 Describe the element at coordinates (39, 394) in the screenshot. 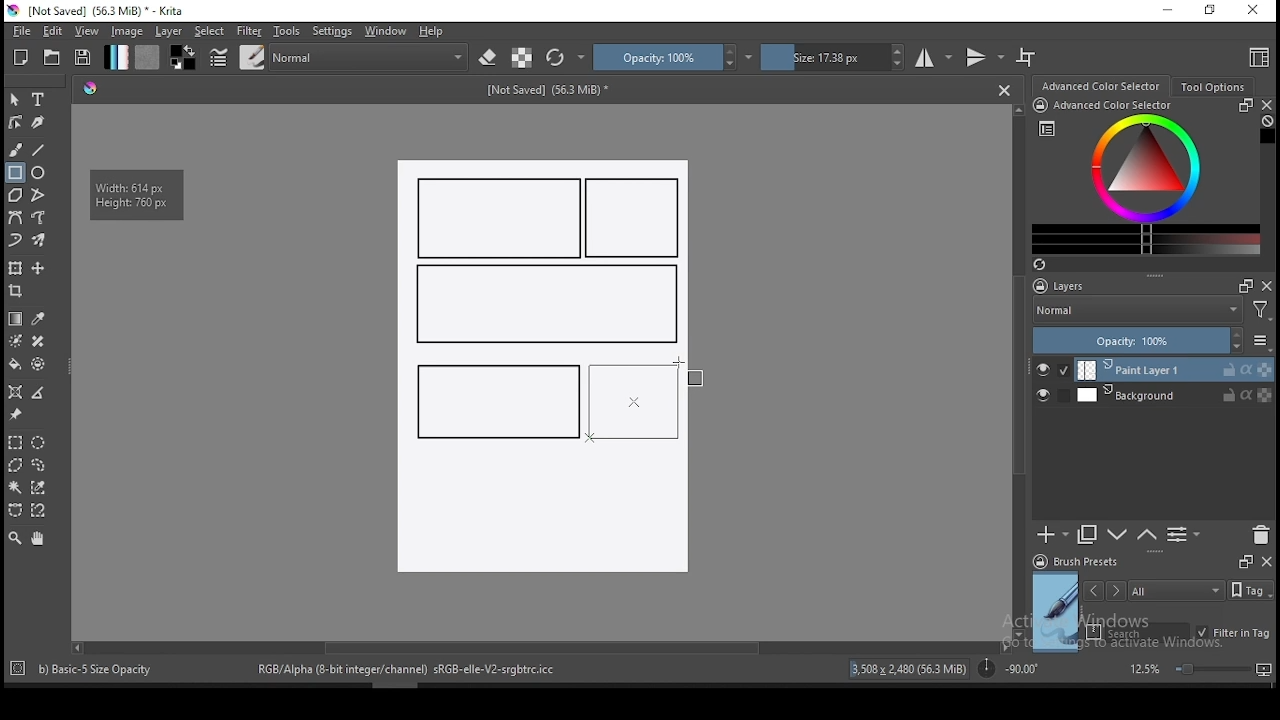

I see `measure distance between two points` at that location.